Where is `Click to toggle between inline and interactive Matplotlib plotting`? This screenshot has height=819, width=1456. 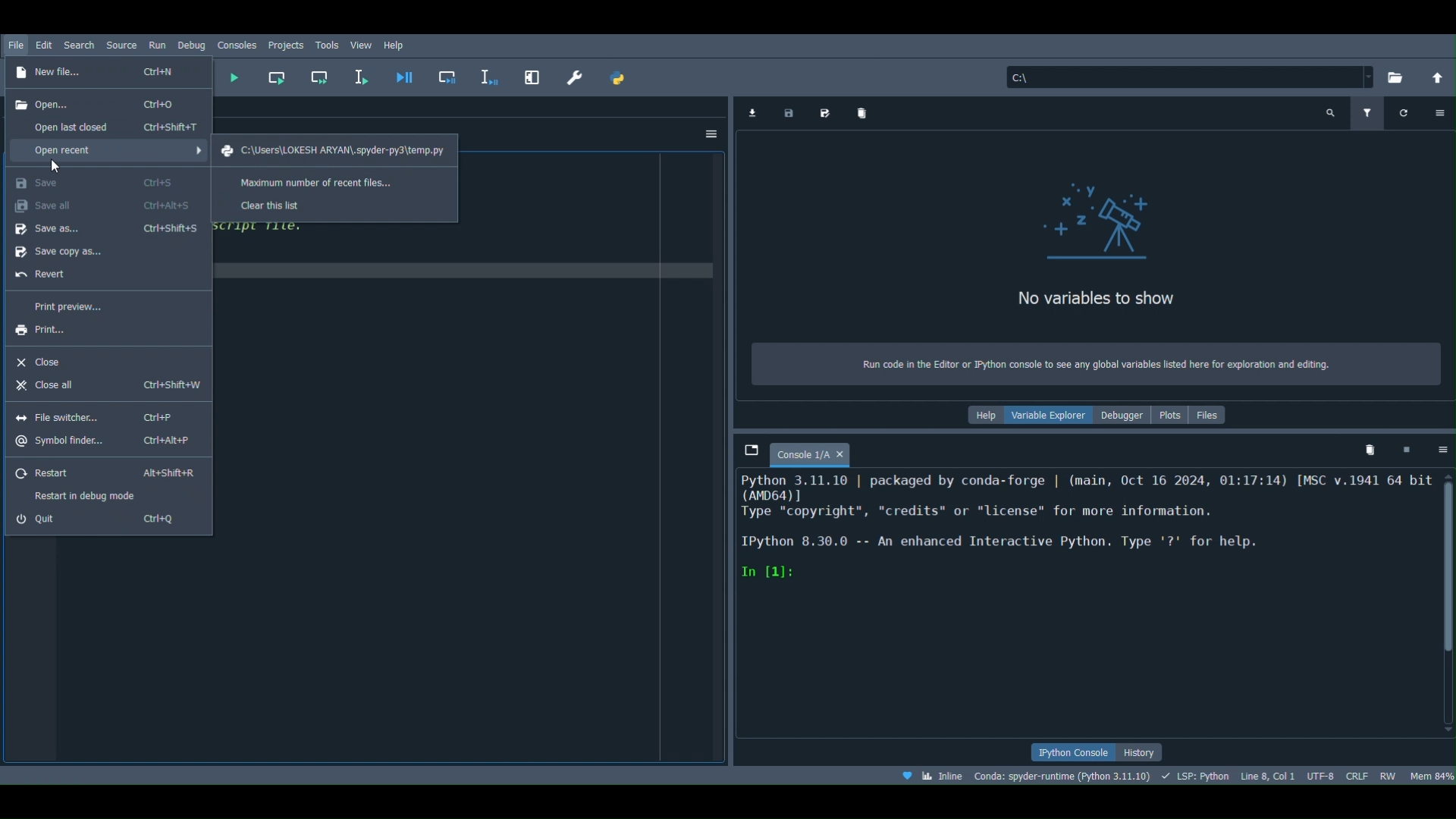 Click to toggle between inline and interactive Matplotlib plotting is located at coordinates (934, 777).